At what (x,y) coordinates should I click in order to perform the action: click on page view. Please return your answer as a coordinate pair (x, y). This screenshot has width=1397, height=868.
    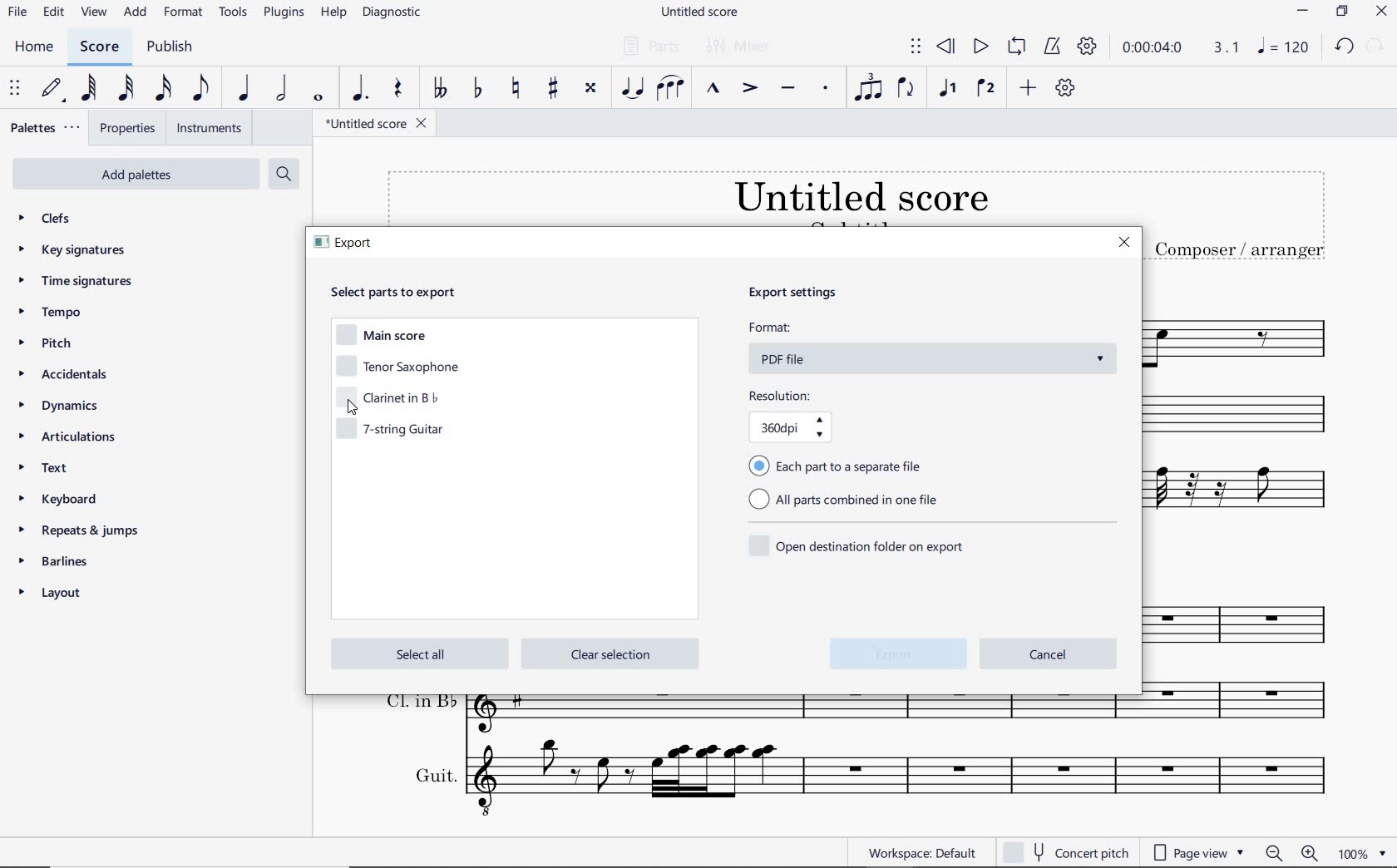
    Looking at the image, I should click on (1197, 851).